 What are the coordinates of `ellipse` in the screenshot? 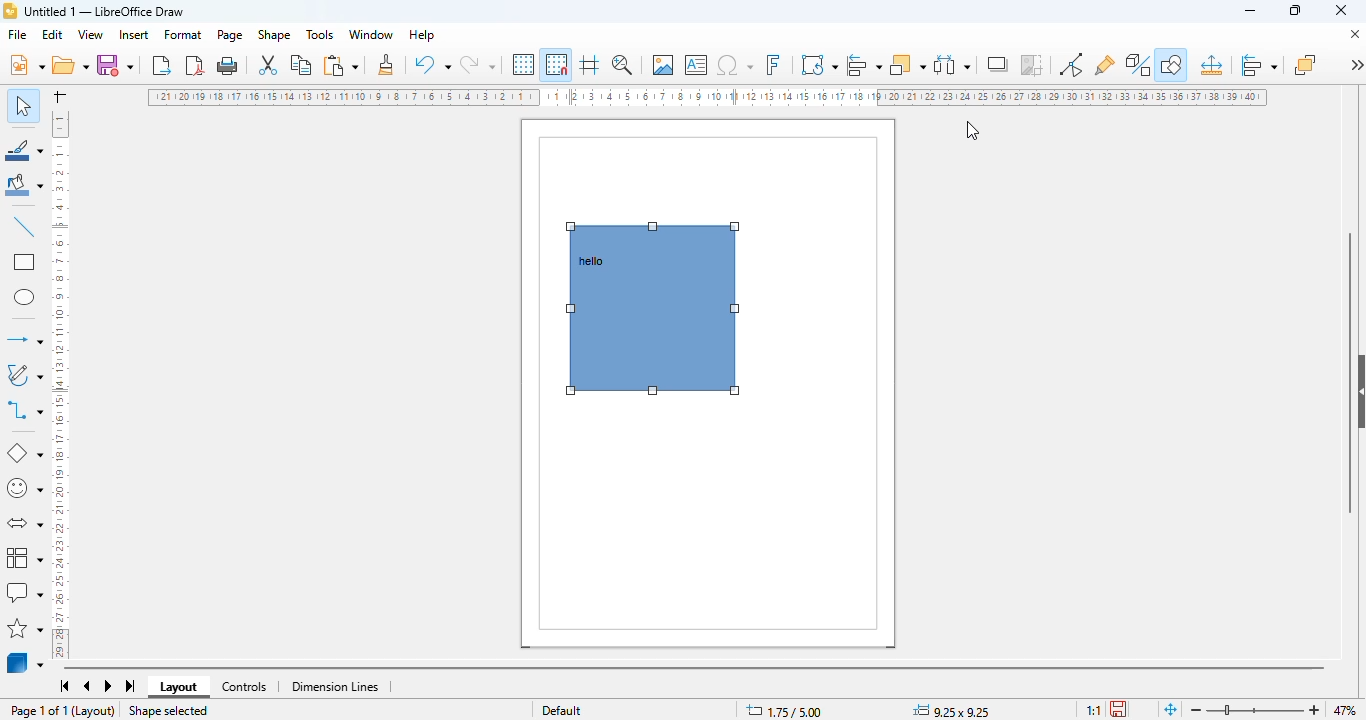 It's located at (24, 298).